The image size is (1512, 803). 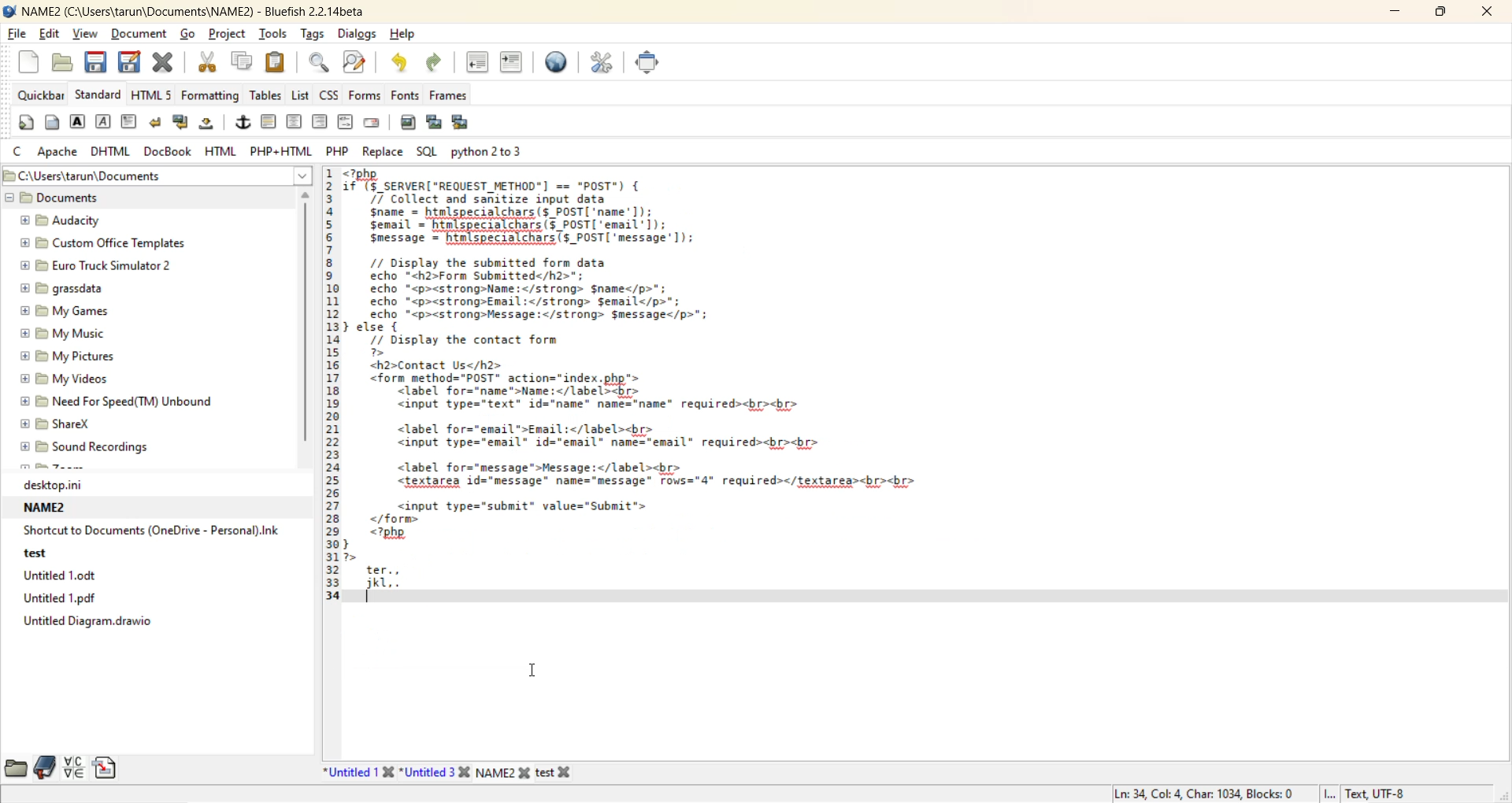 What do you see at coordinates (244, 124) in the screenshot?
I see `anchor` at bounding box center [244, 124].